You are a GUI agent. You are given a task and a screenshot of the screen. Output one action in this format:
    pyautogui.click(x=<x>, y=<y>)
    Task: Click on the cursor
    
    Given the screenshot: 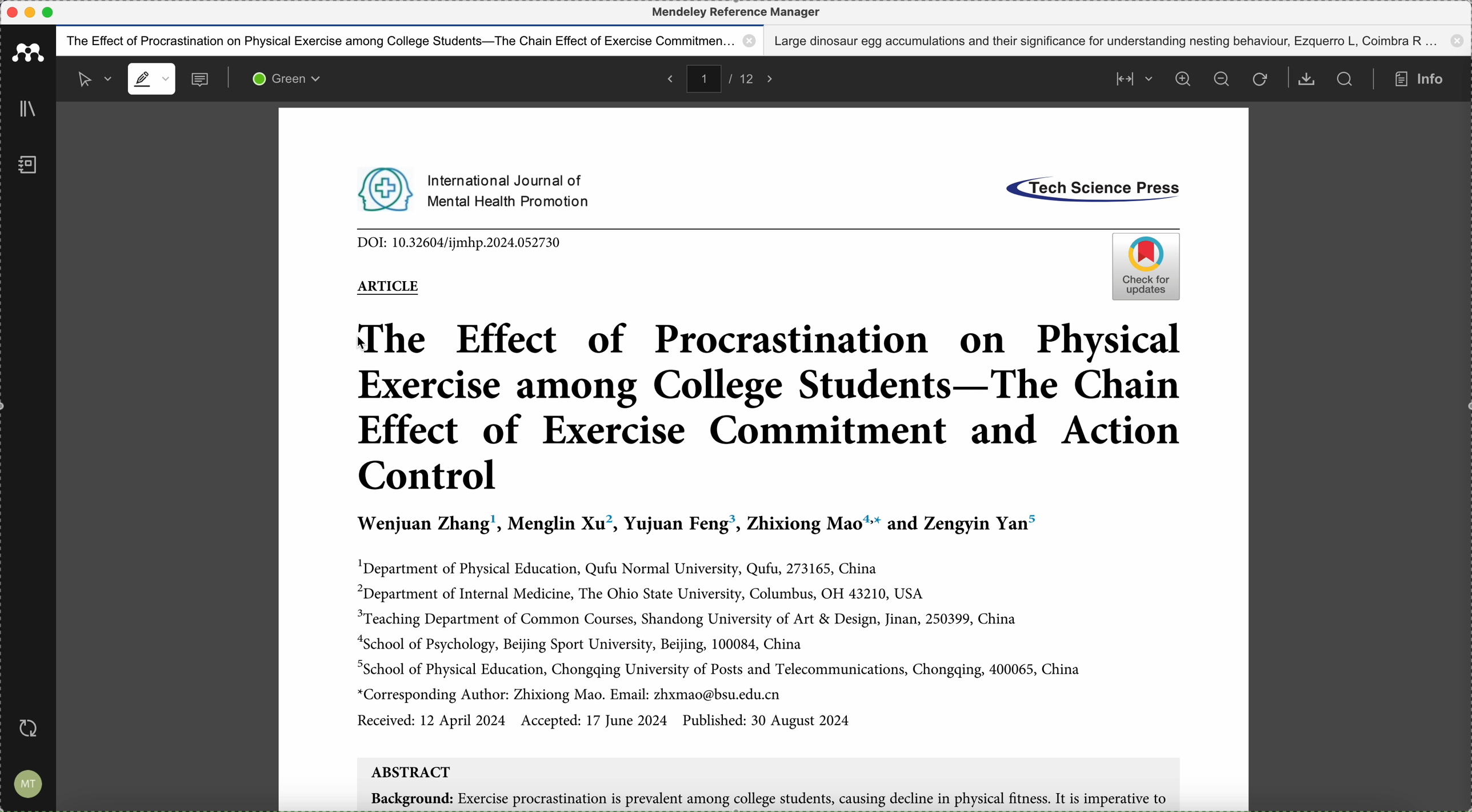 What is the action you would take?
    pyautogui.click(x=371, y=346)
    